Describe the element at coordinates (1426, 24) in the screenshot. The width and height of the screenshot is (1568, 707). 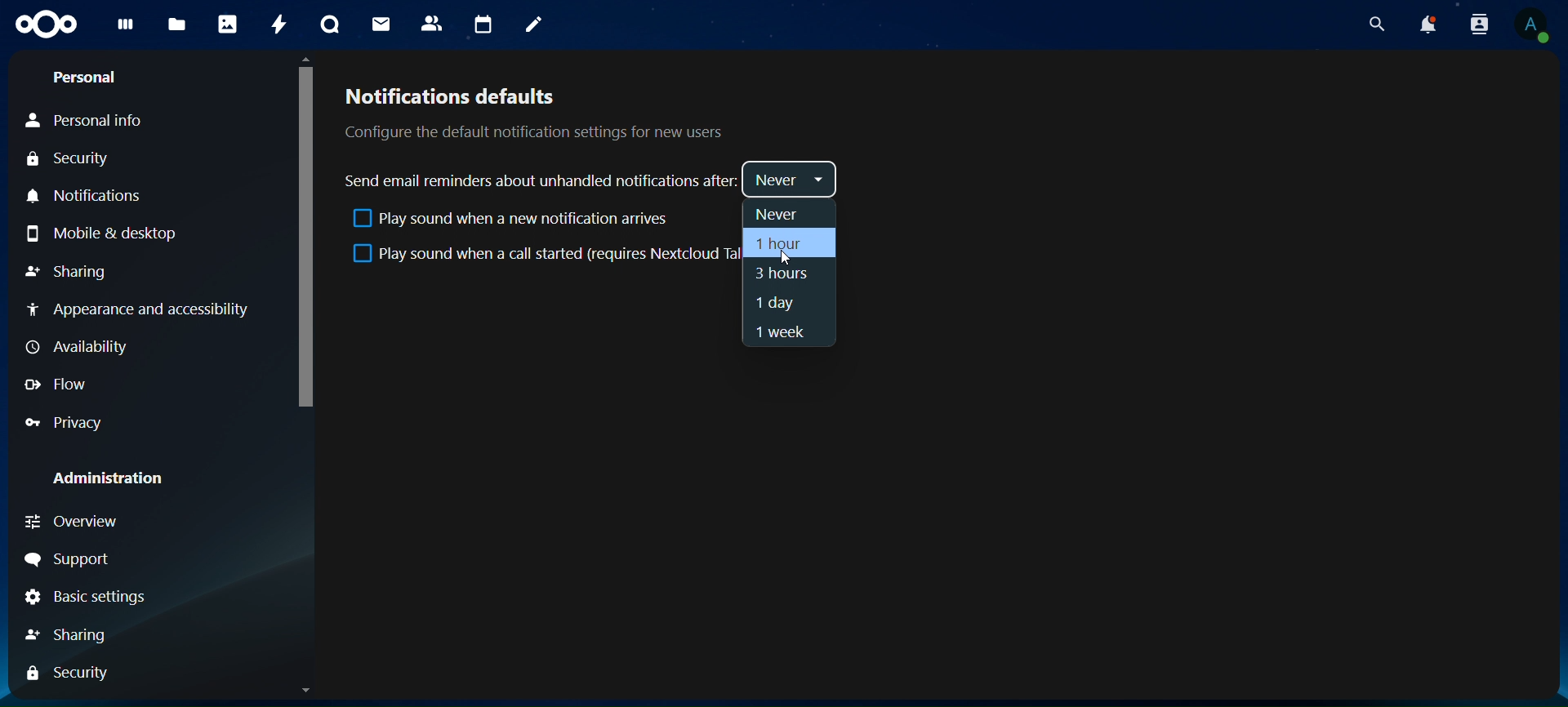
I see `notifications` at that location.